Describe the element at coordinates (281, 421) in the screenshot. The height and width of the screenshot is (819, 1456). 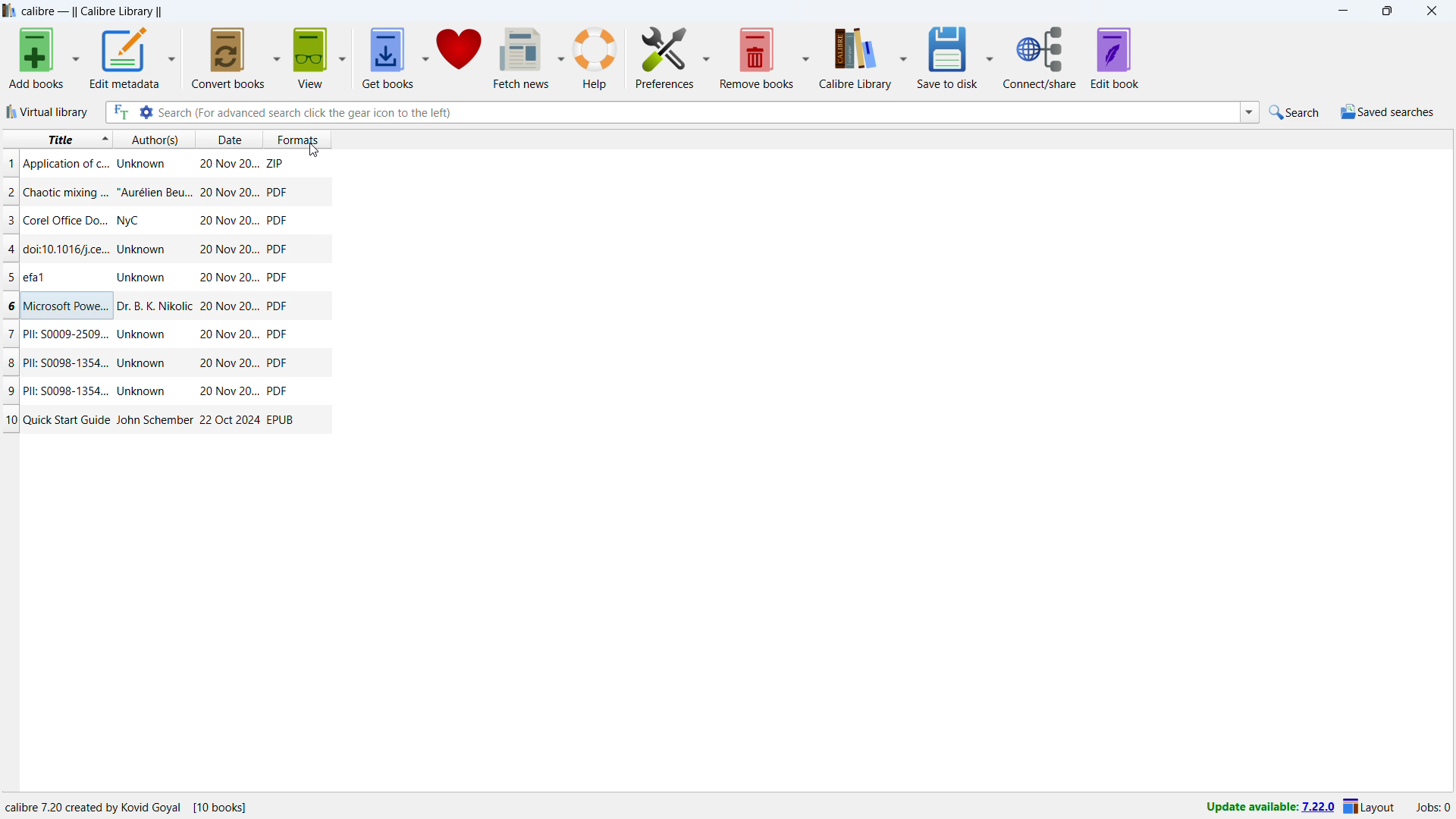
I see `EPUB` at that location.